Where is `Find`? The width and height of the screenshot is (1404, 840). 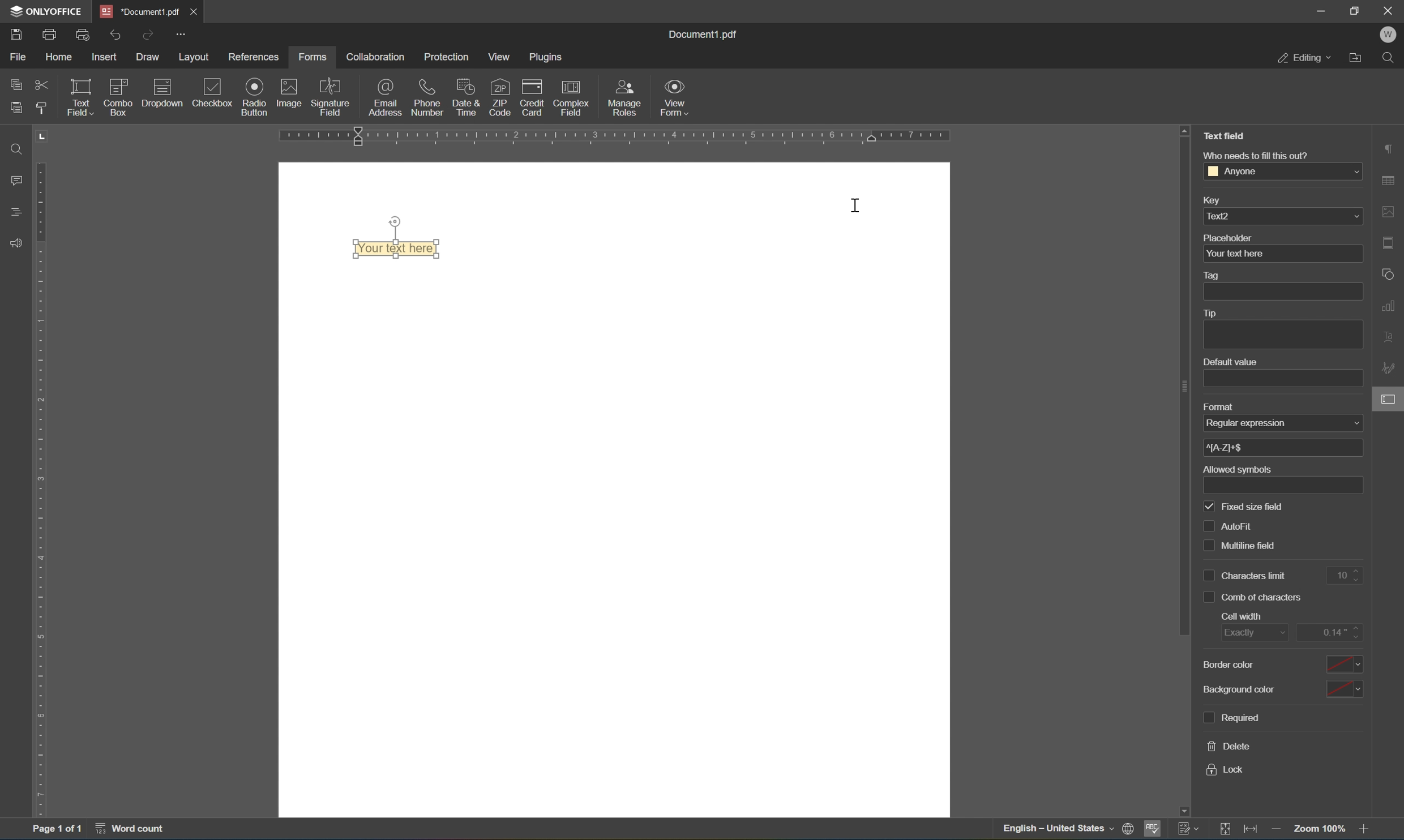 Find is located at coordinates (18, 150).